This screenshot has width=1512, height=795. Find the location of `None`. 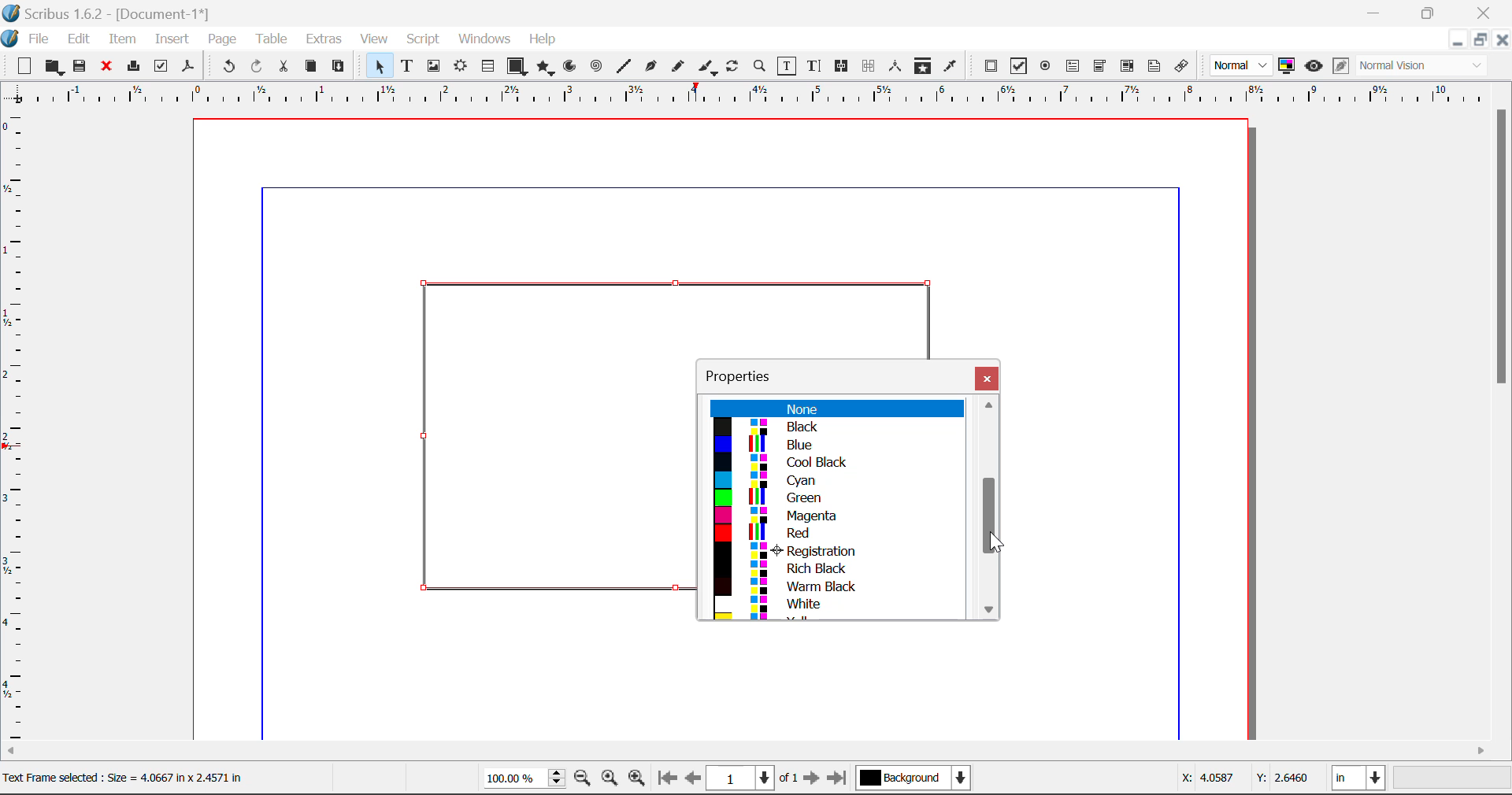

None is located at coordinates (836, 409).